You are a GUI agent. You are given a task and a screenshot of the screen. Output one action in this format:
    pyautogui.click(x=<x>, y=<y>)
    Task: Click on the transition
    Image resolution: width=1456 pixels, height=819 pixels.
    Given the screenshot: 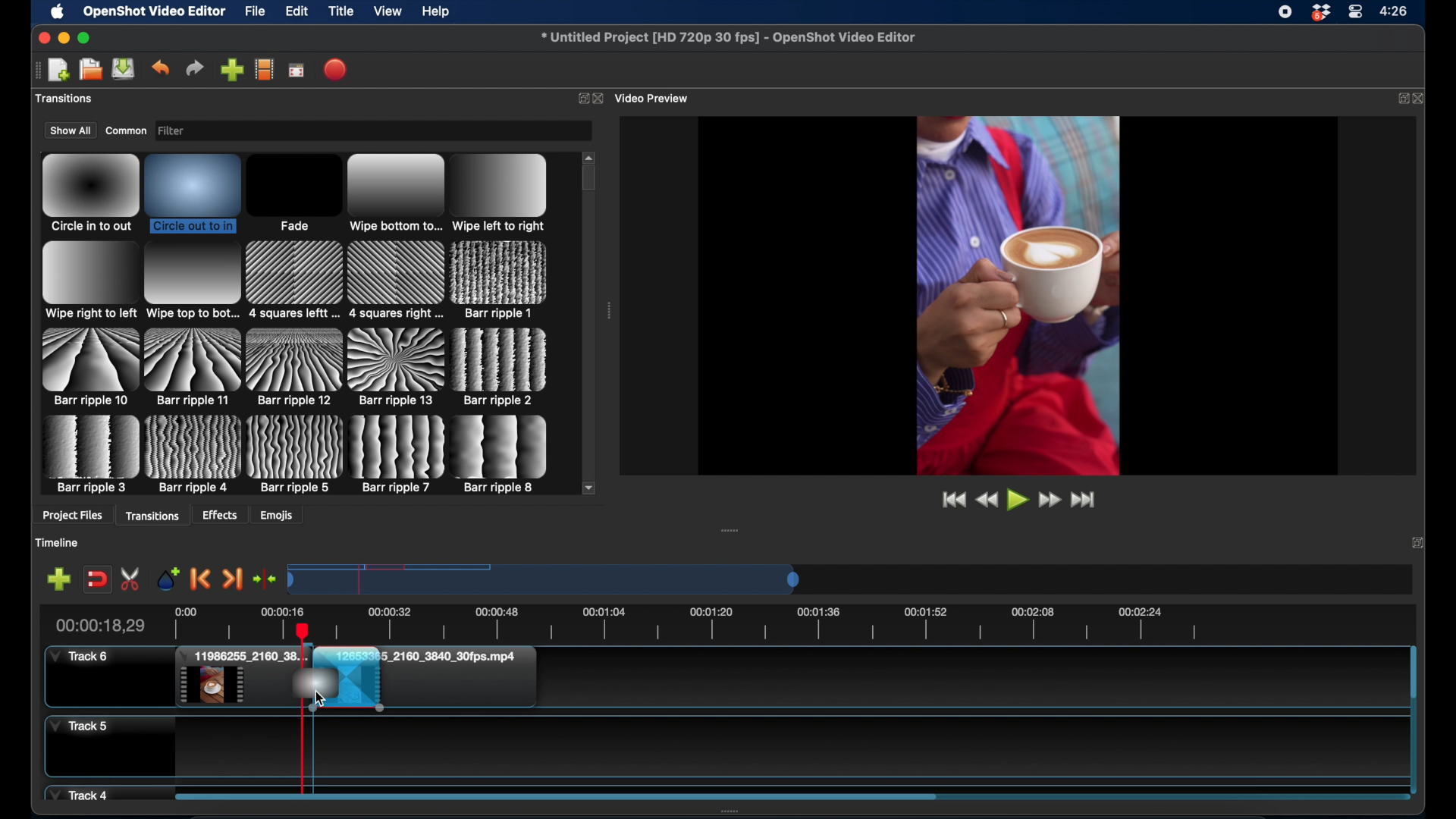 What is the action you would take?
    pyautogui.click(x=295, y=453)
    